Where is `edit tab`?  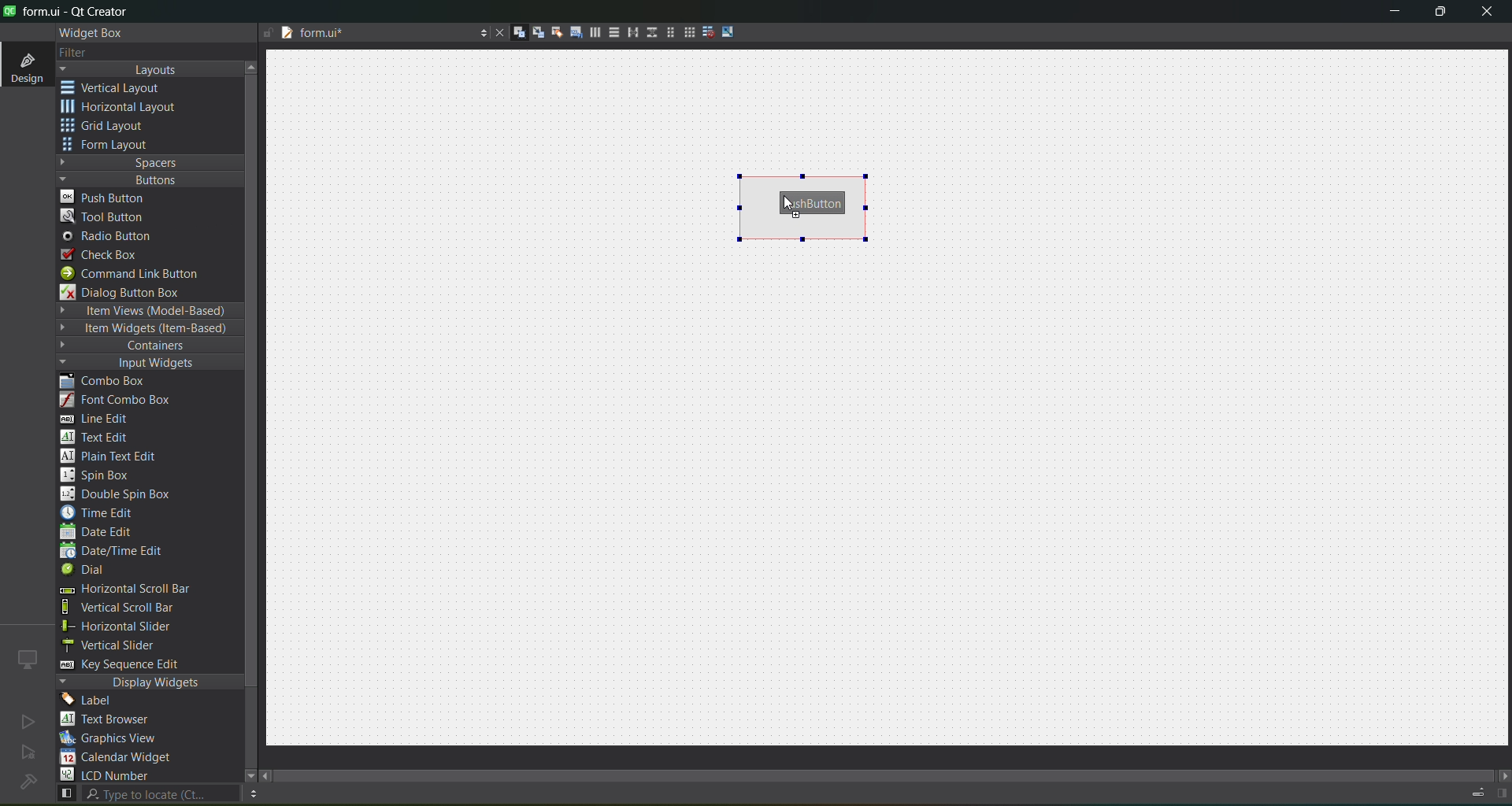
edit tab is located at coordinates (570, 35).